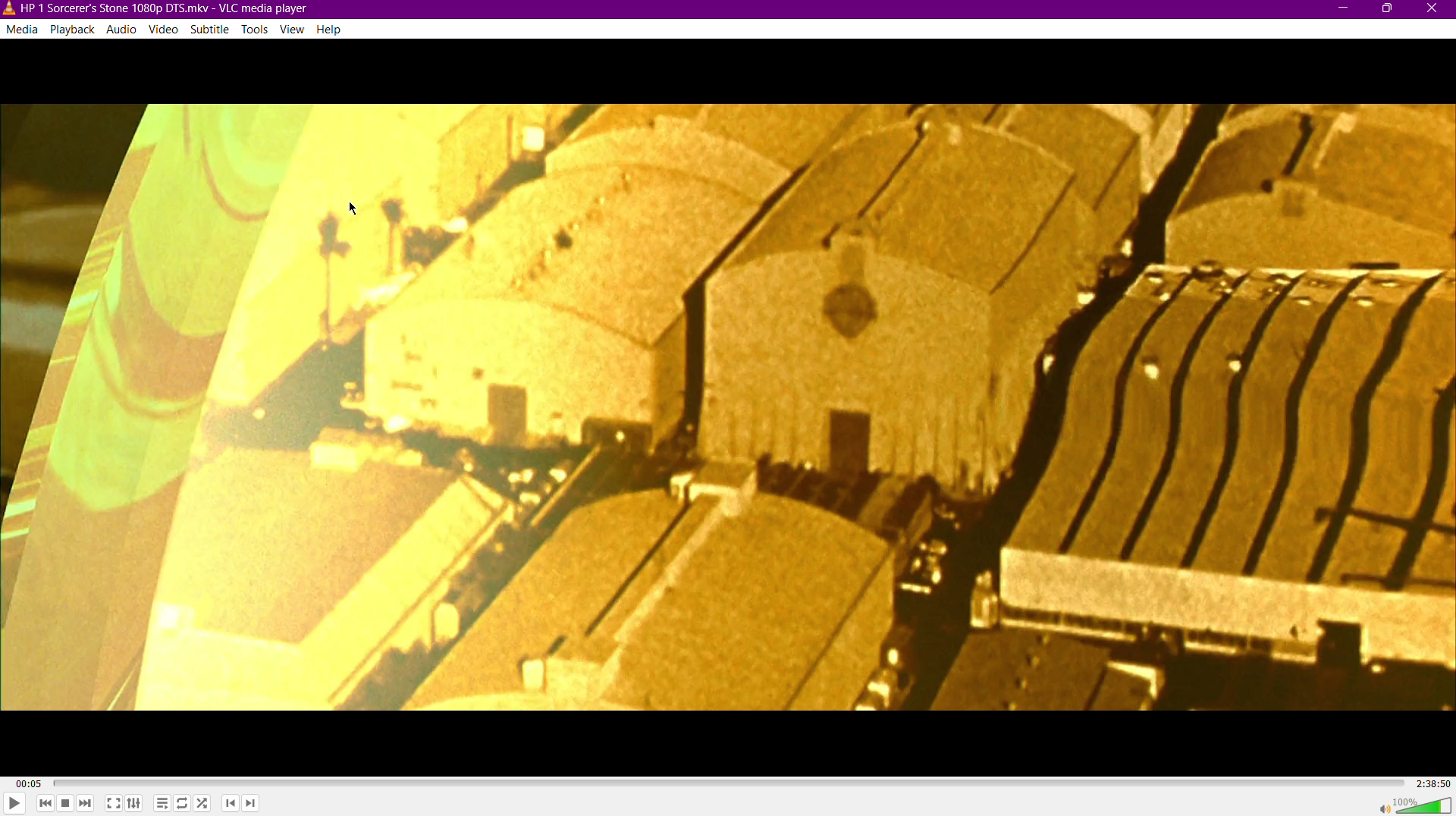 The height and width of the screenshot is (816, 1456). Describe the element at coordinates (182, 802) in the screenshot. I see `Toggle Loop` at that location.